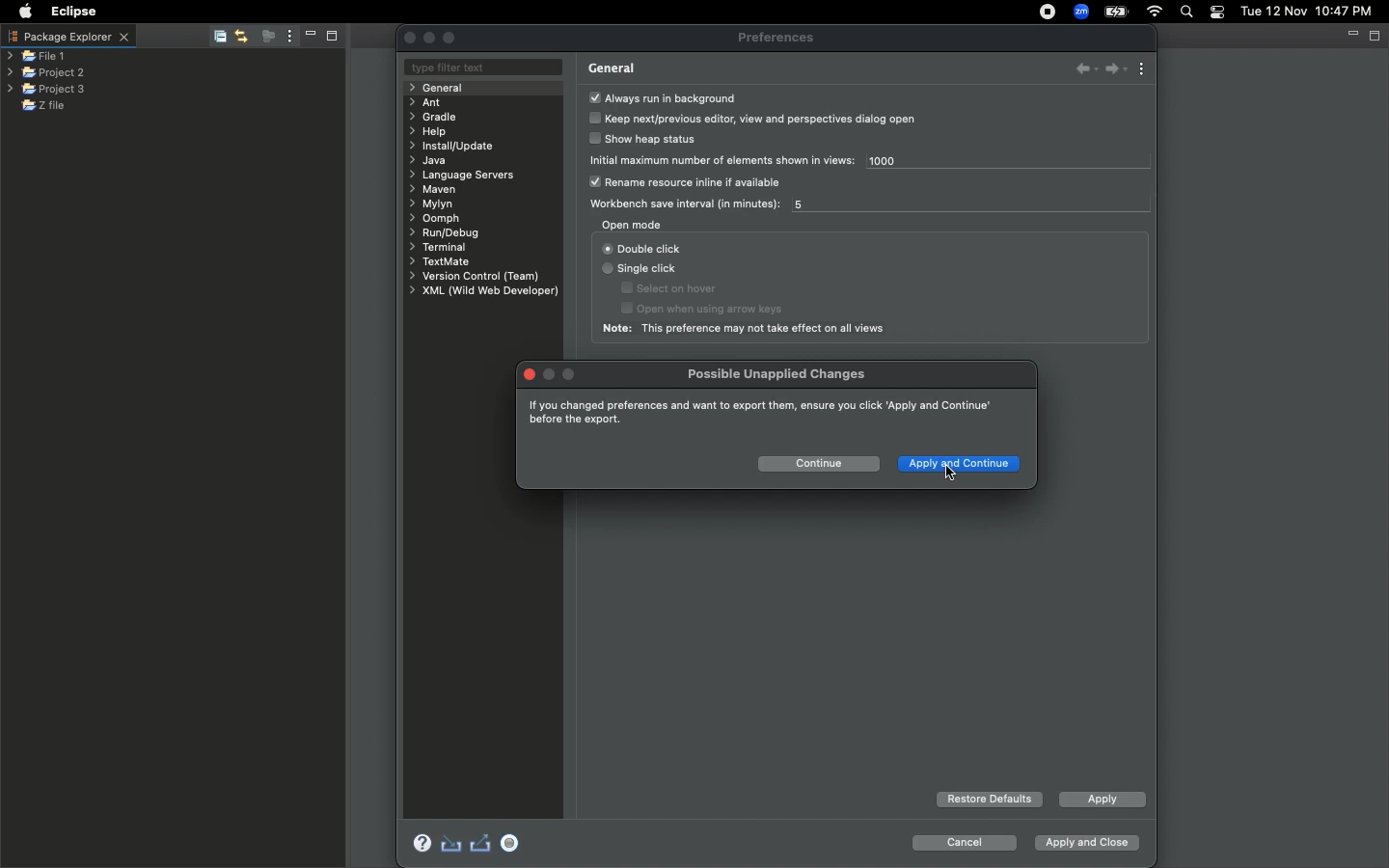  Describe the element at coordinates (779, 374) in the screenshot. I see `Possible unapplied changes` at that location.